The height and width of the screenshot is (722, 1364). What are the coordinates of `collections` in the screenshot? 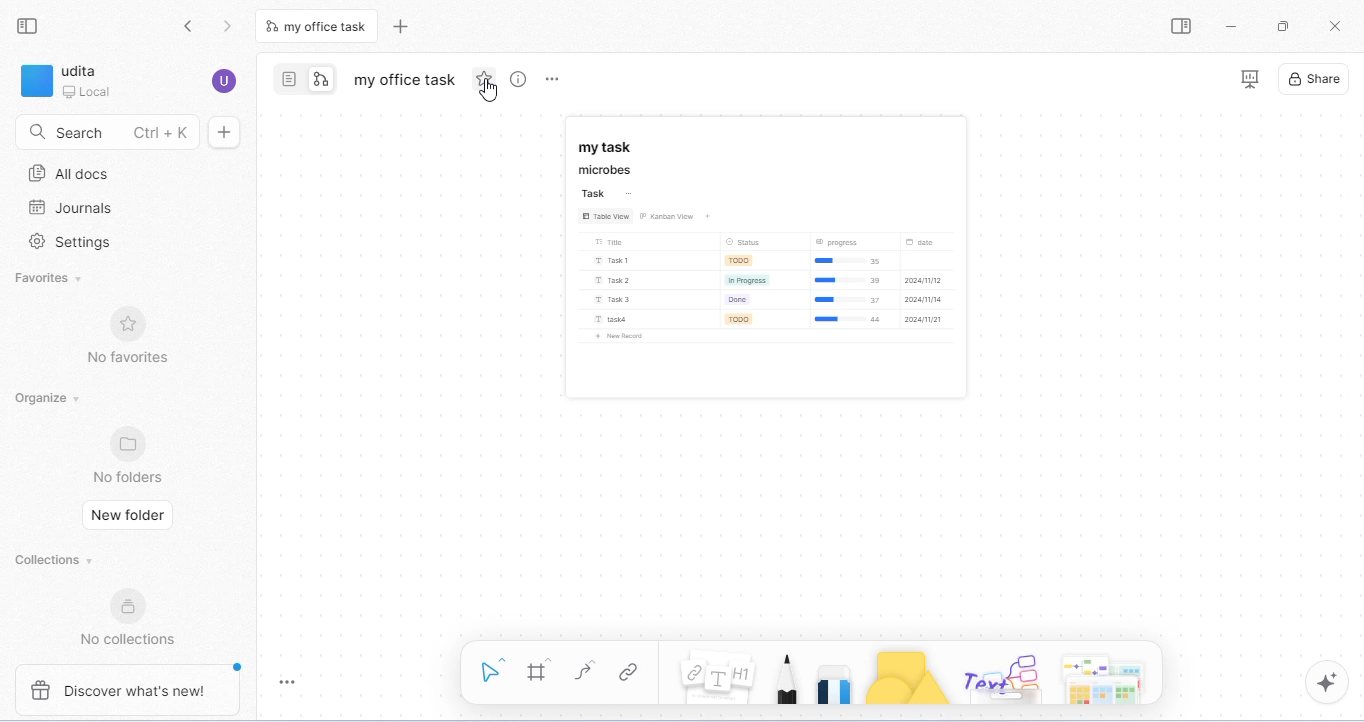 It's located at (51, 561).